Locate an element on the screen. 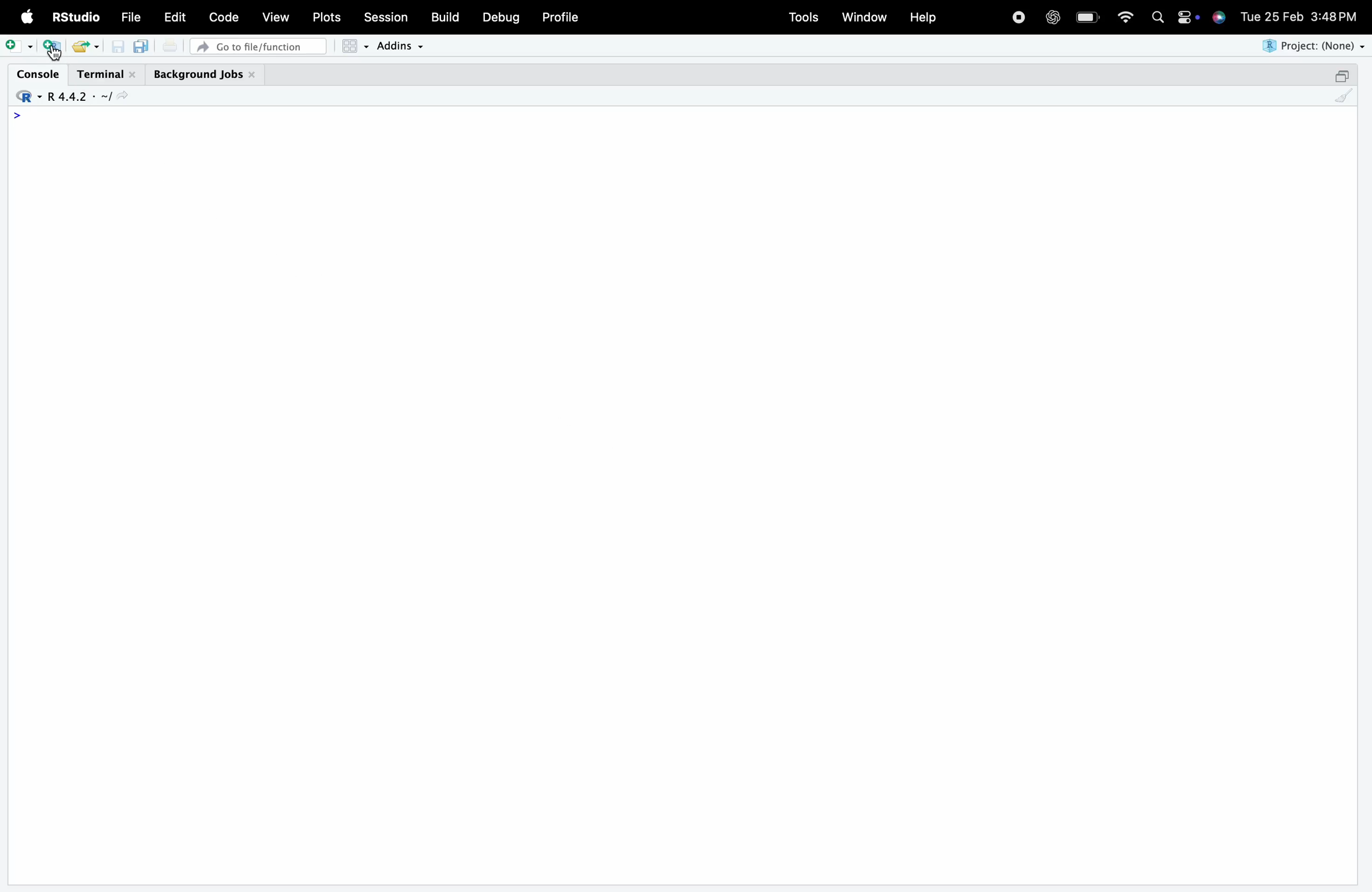  create a project is located at coordinates (52, 47).